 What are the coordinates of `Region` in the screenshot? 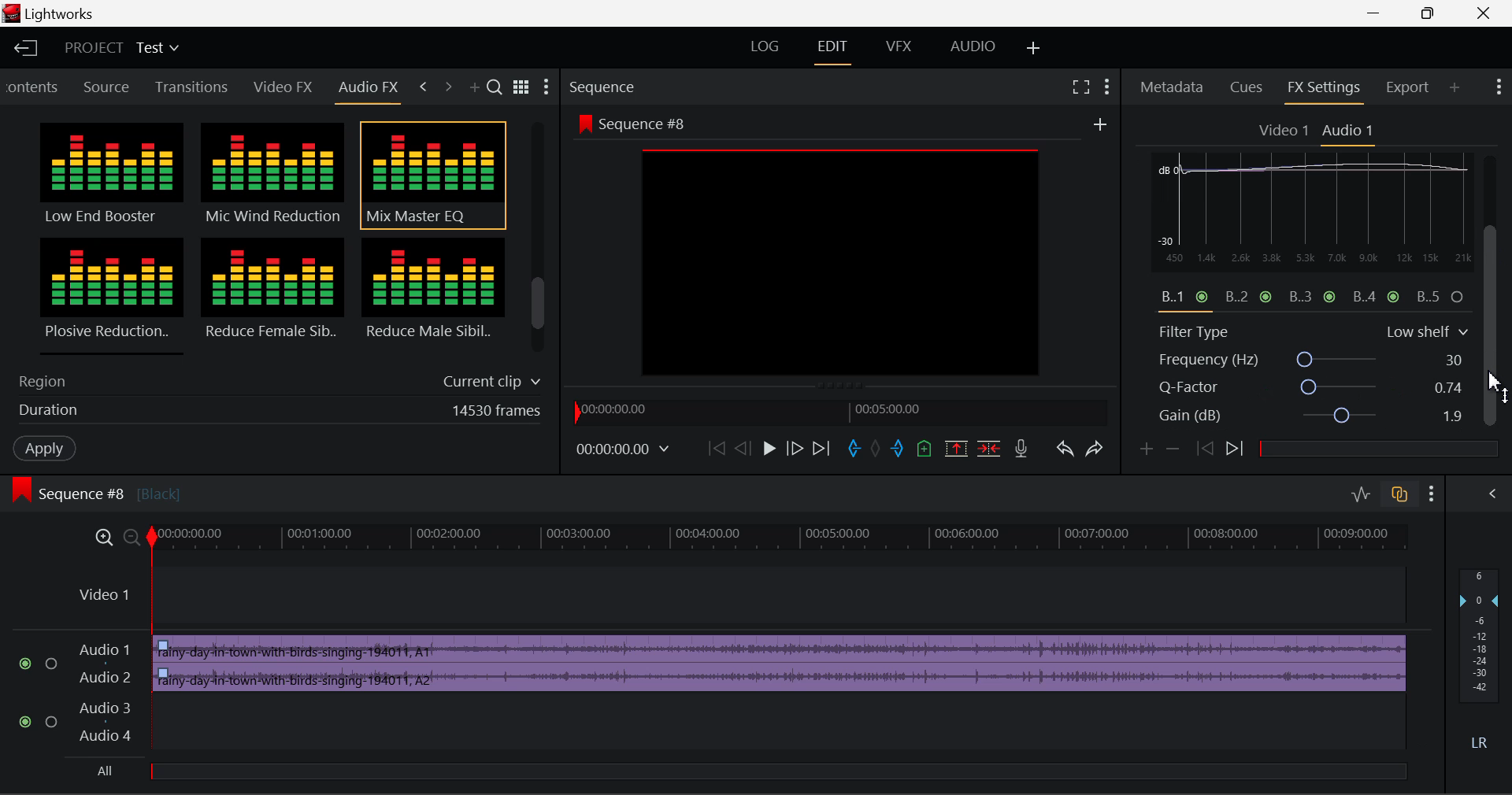 It's located at (276, 379).